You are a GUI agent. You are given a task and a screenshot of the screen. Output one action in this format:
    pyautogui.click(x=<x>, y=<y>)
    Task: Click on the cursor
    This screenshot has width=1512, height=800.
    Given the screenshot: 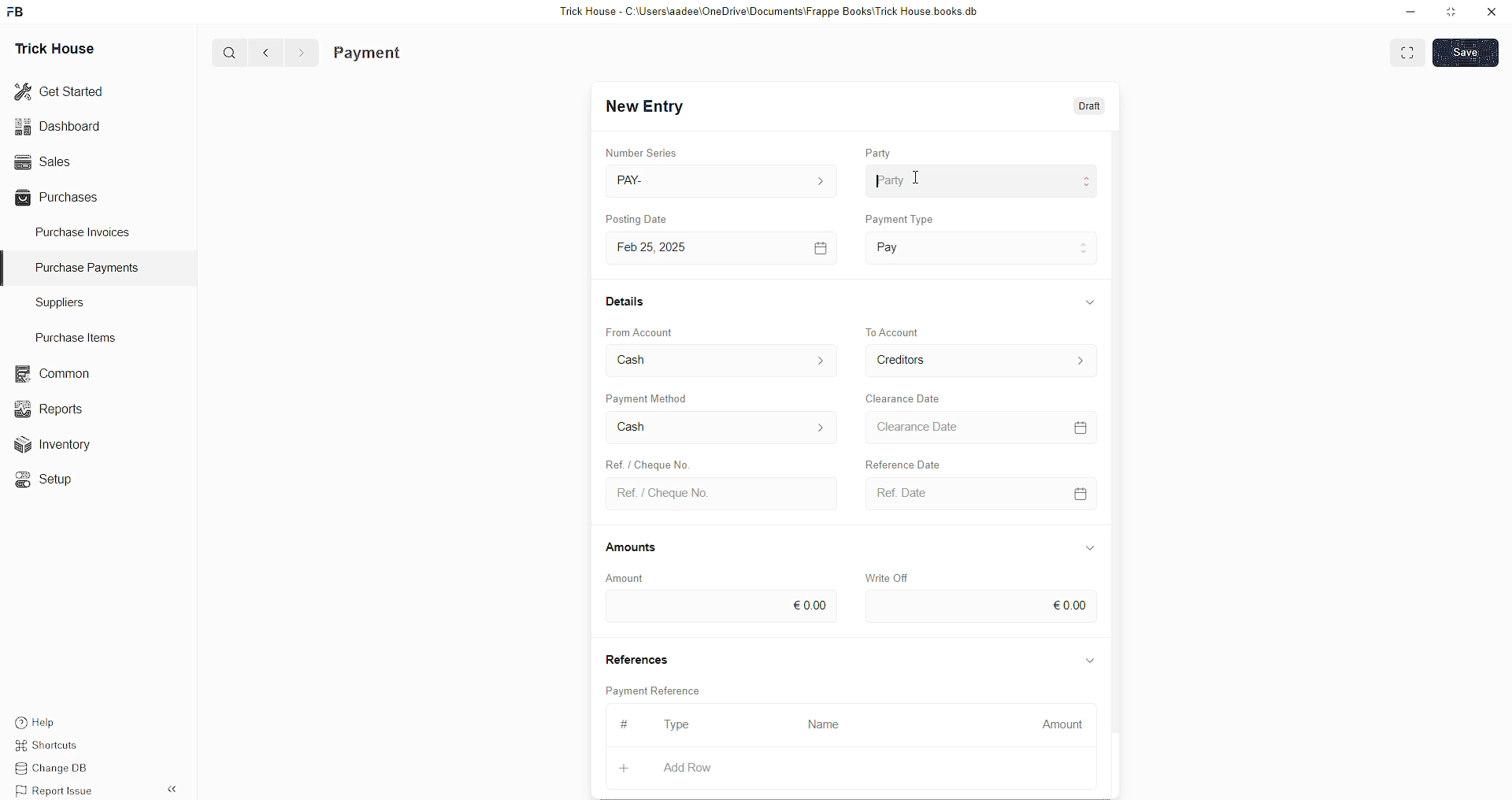 What is the action you would take?
    pyautogui.click(x=922, y=179)
    